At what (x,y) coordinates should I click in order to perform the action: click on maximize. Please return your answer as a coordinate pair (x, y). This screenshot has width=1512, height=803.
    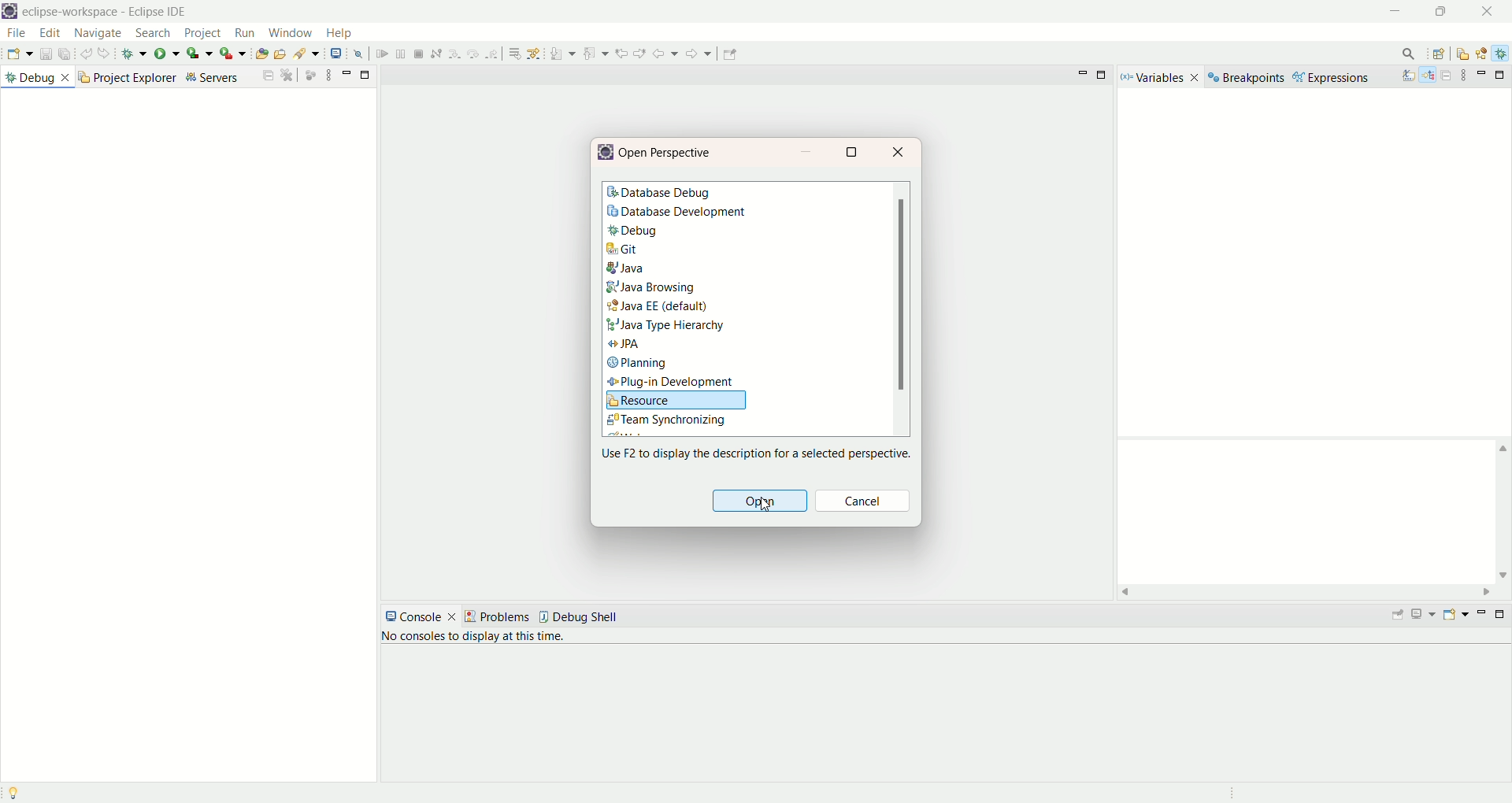
    Looking at the image, I should click on (289, 73).